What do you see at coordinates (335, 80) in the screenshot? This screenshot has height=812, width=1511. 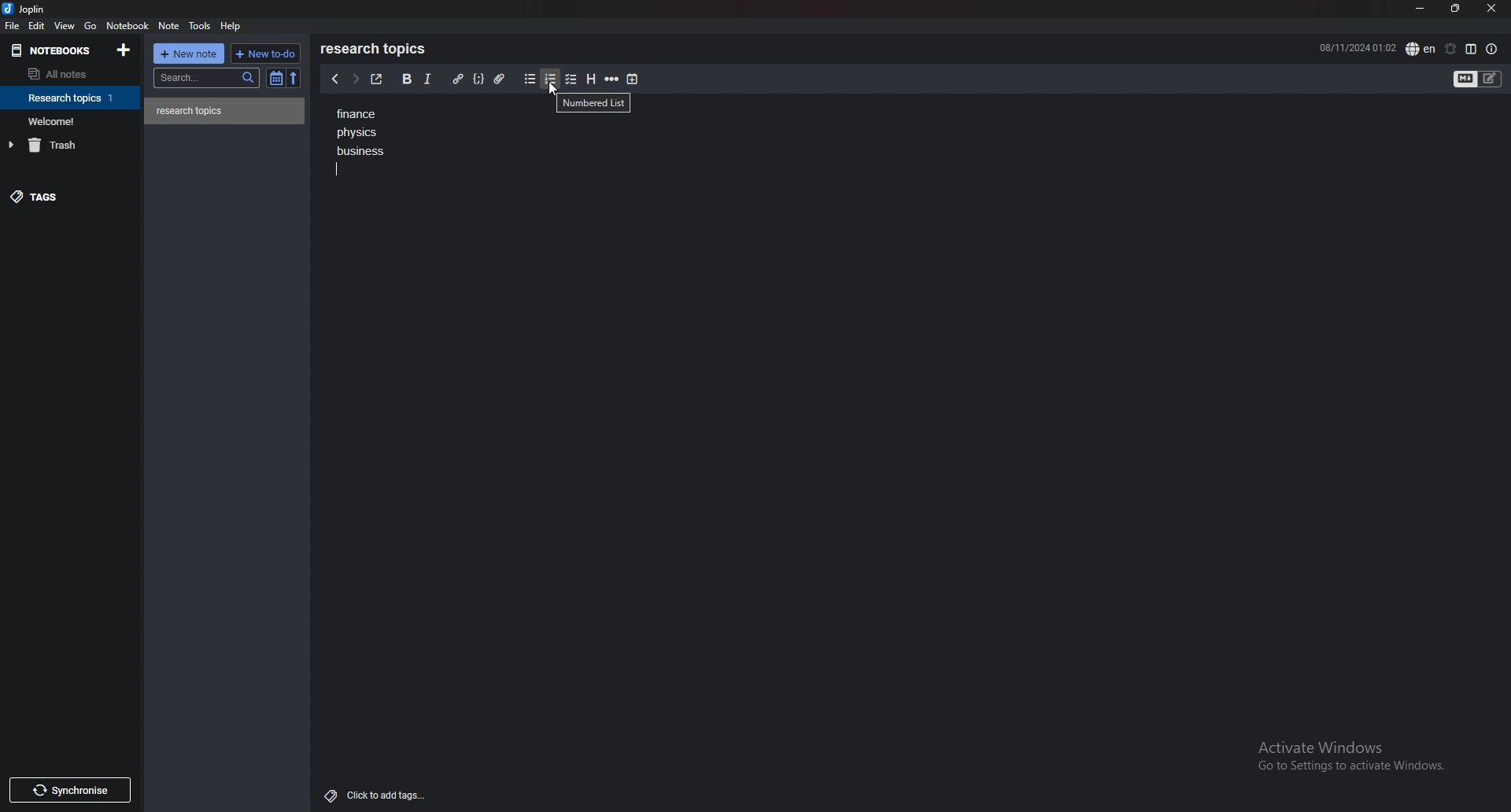 I see `previous` at bounding box center [335, 80].